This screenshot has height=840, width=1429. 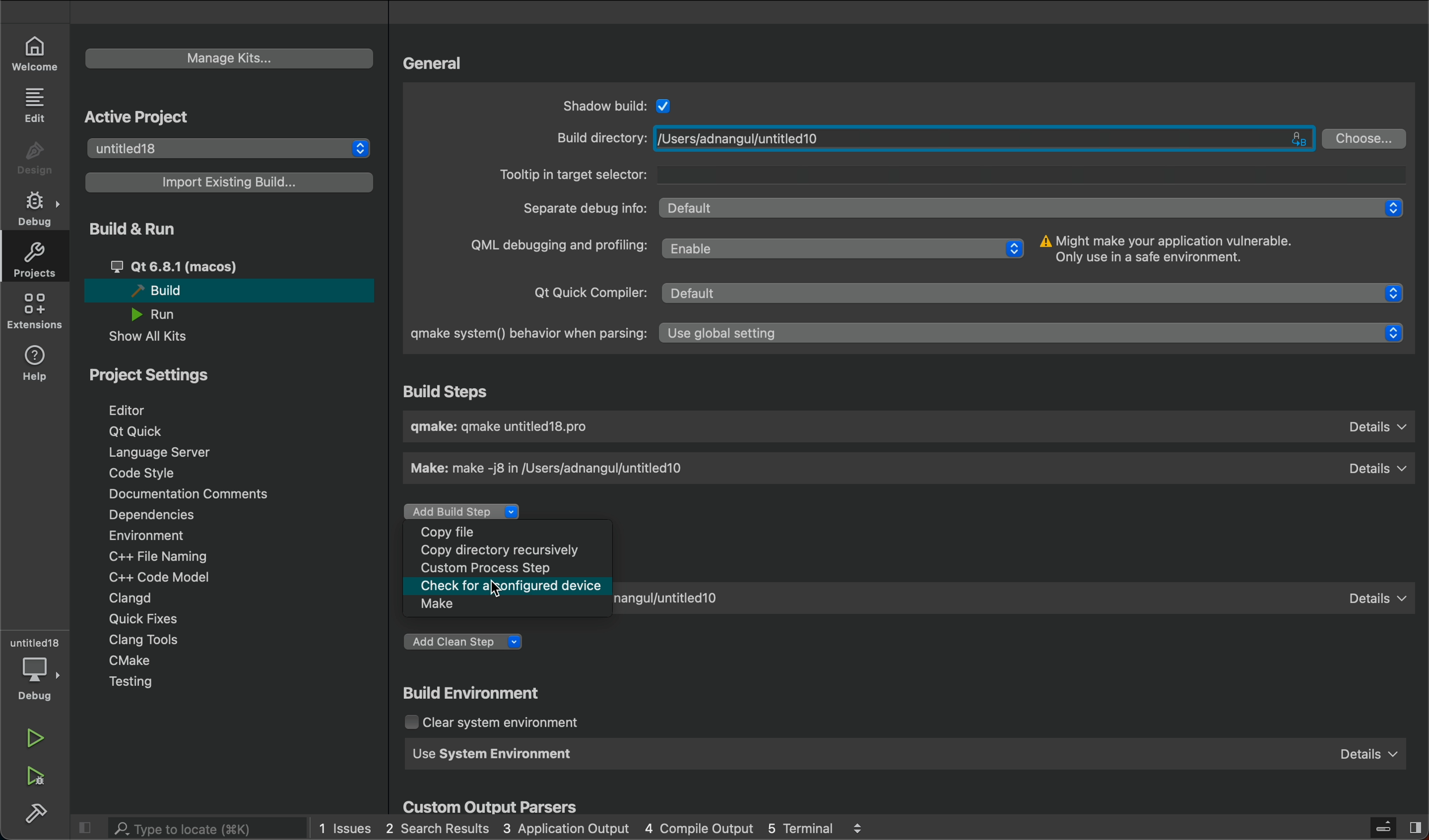 What do you see at coordinates (34, 105) in the screenshot?
I see `edit` at bounding box center [34, 105].